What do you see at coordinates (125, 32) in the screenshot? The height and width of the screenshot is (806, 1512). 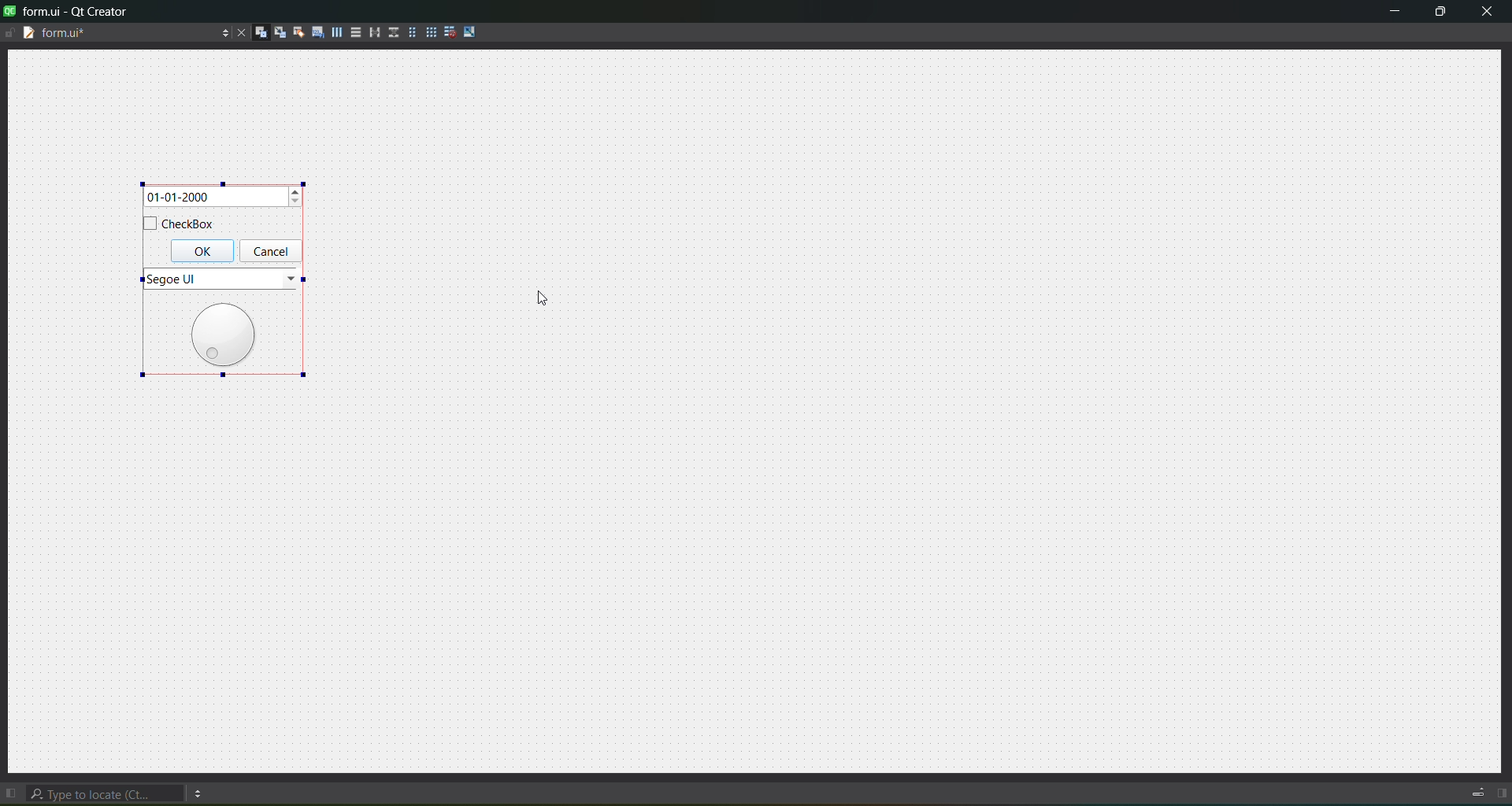 I see `Current File name` at bounding box center [125, 32].